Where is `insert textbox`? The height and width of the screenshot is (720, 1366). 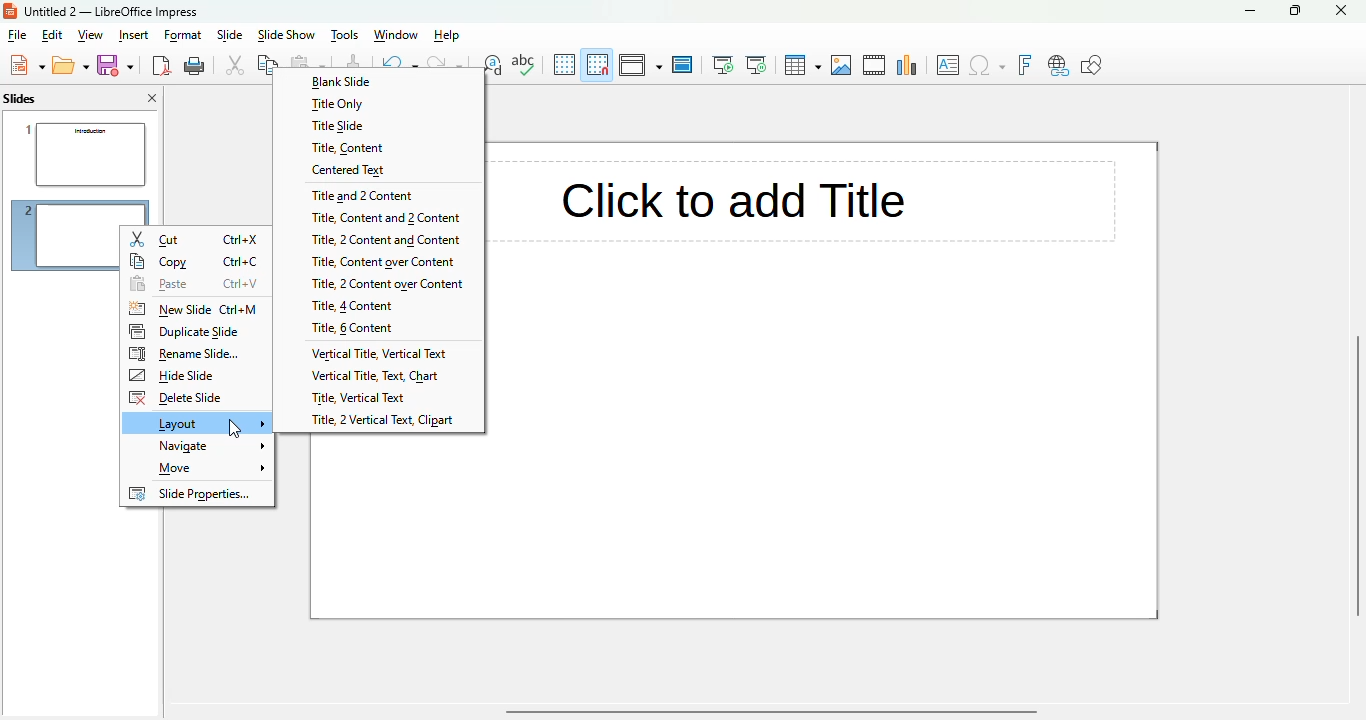
insert textbox is located at coordinates (948, 65).